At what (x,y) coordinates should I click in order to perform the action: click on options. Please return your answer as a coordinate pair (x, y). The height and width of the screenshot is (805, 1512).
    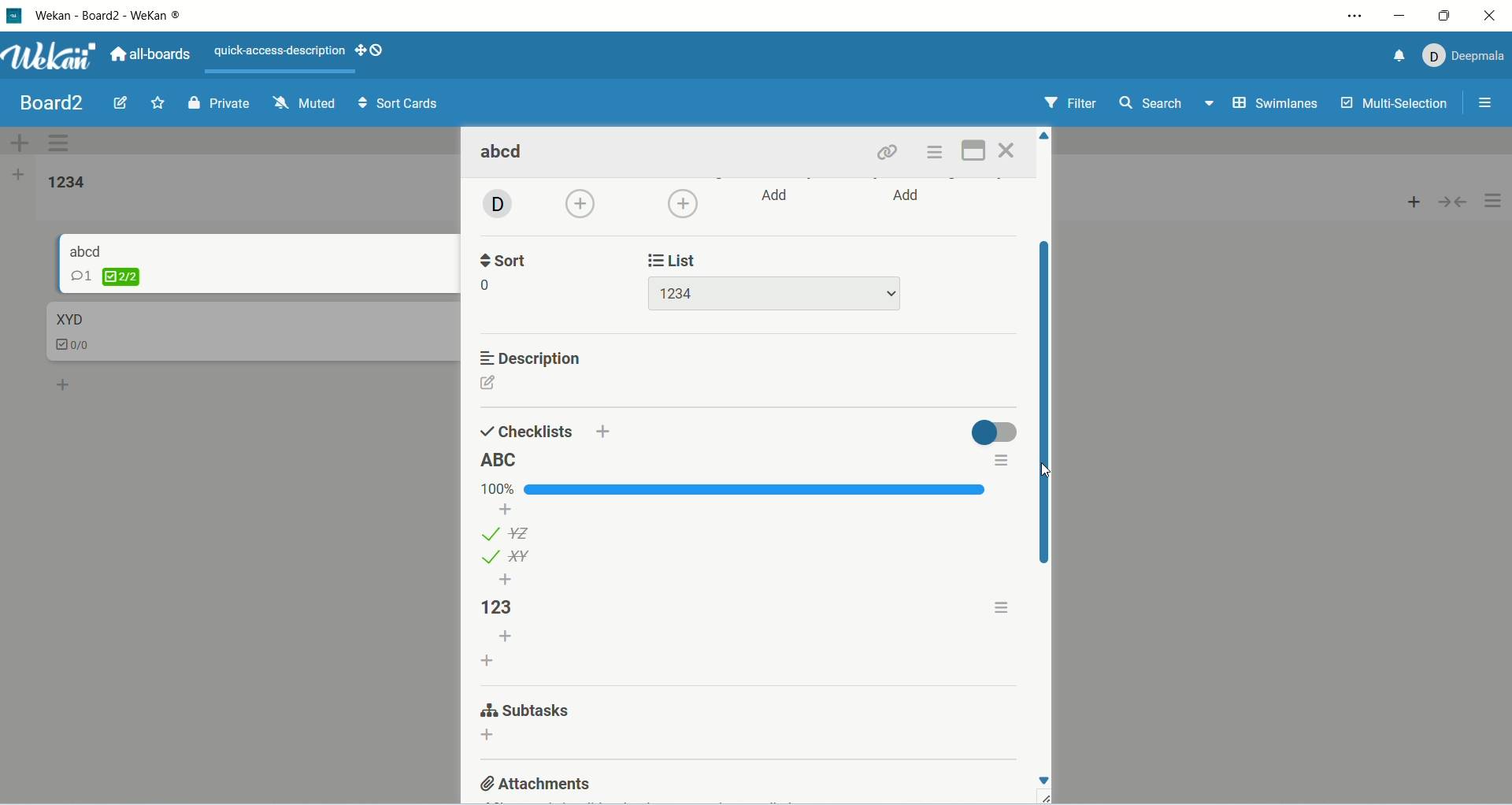
    Looking at the image, I should click on (938, 153).